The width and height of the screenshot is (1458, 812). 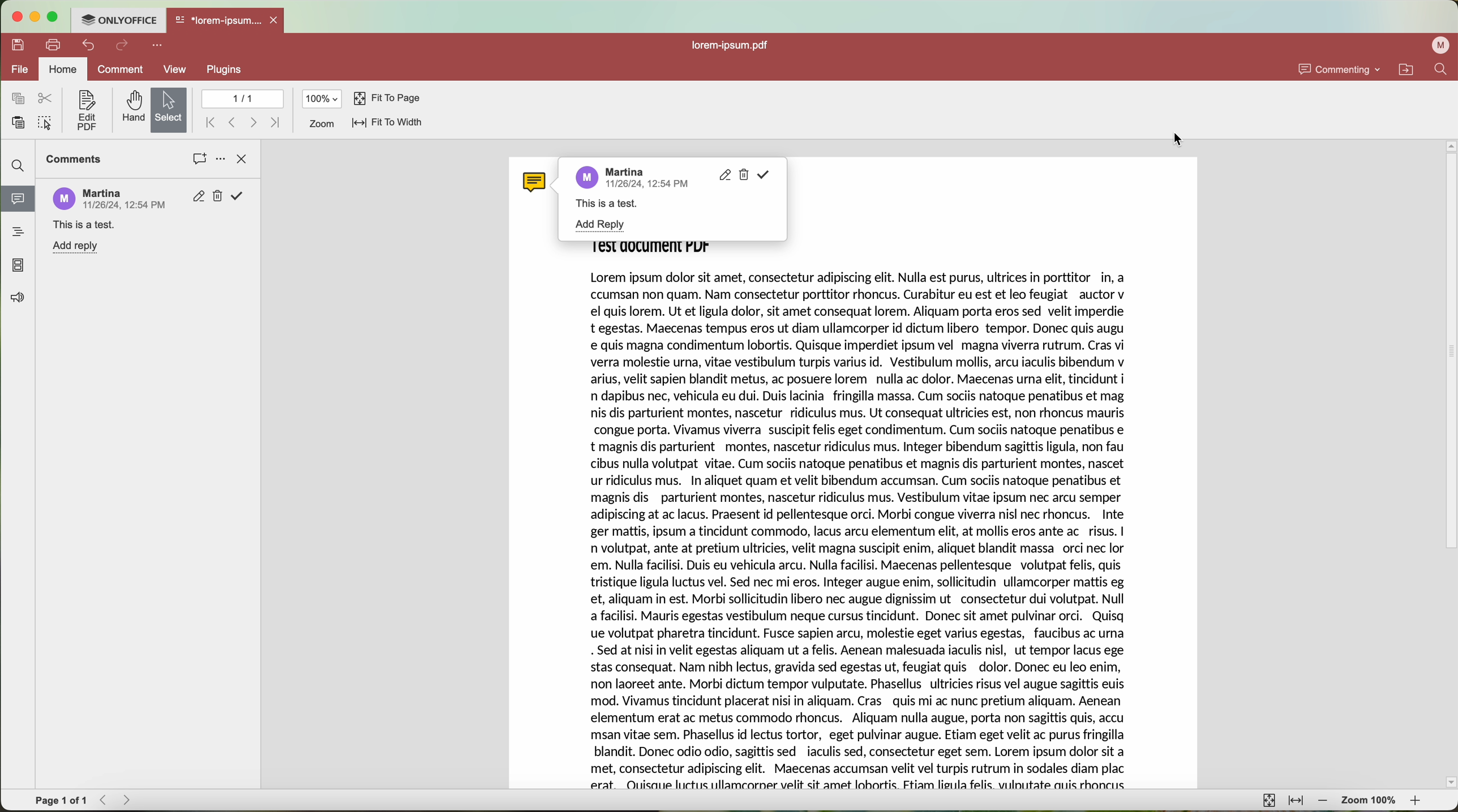 I want to click on file, so click(x=18, y=70).